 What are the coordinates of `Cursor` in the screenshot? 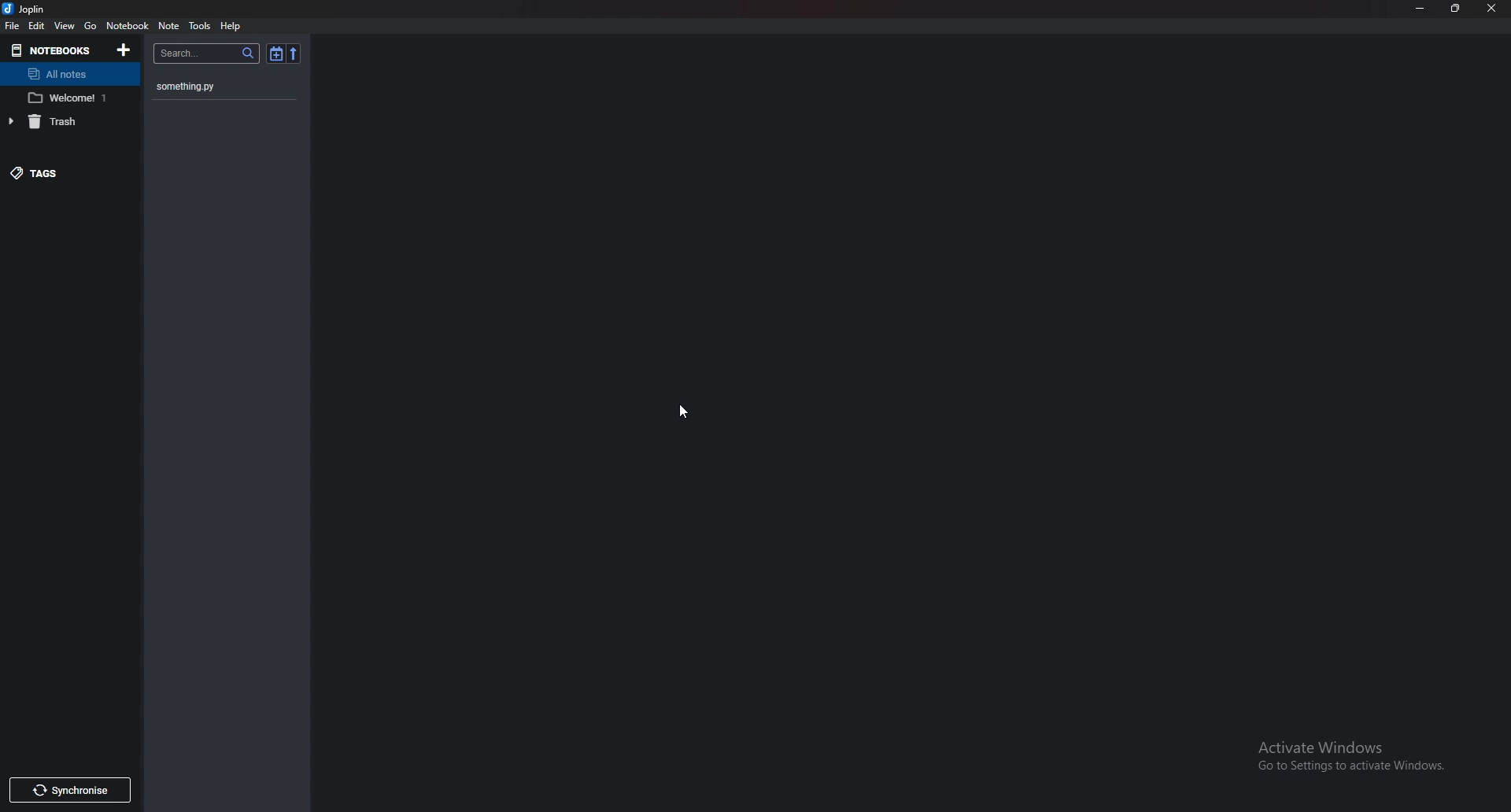 It's located at (682, 409).